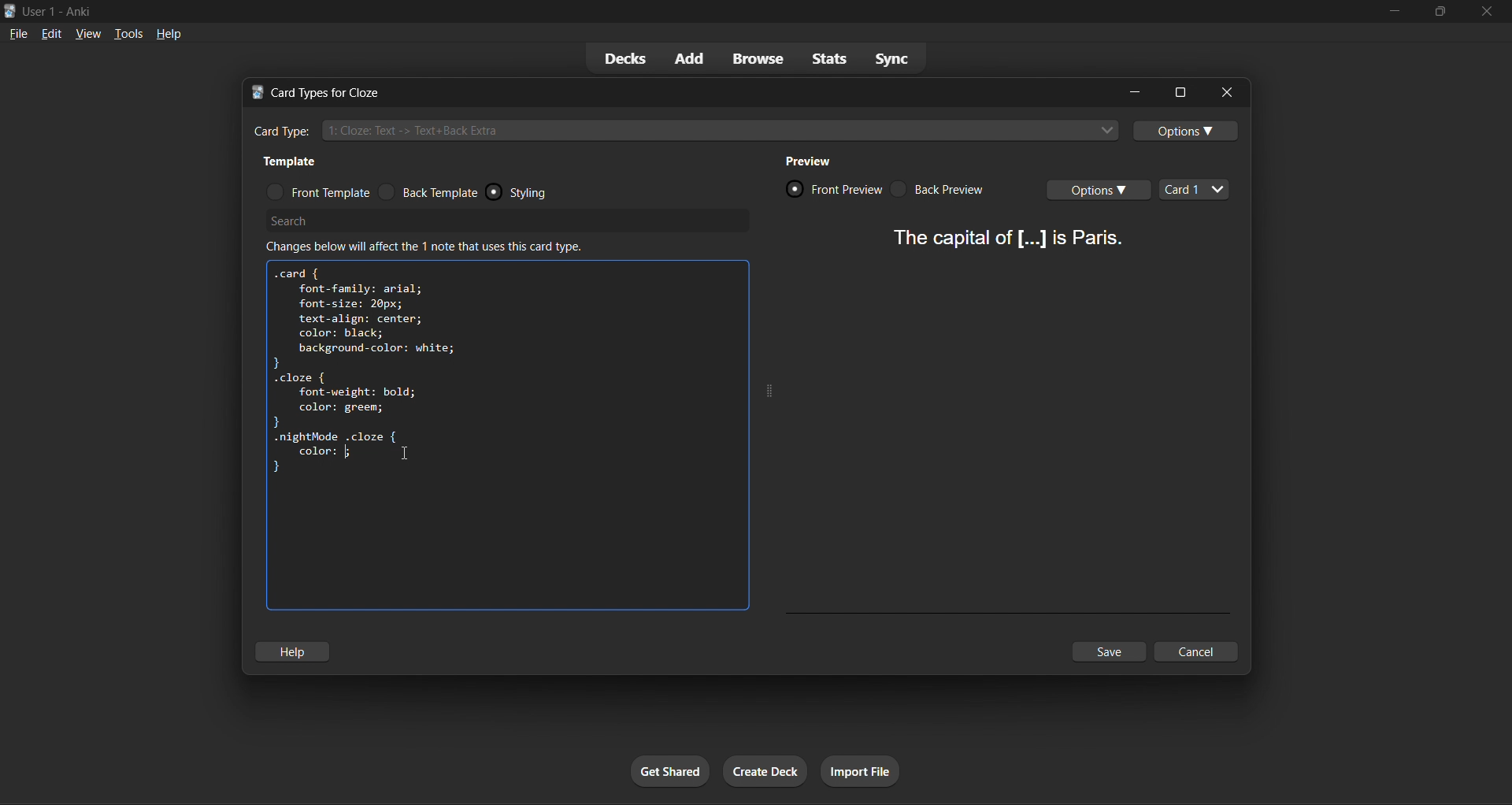 This screenshot has width=1512, height=805. What do you see at coordinates (1440, 13) in the screenshot?
I see `maximize` at bounding box center [1440, 13].